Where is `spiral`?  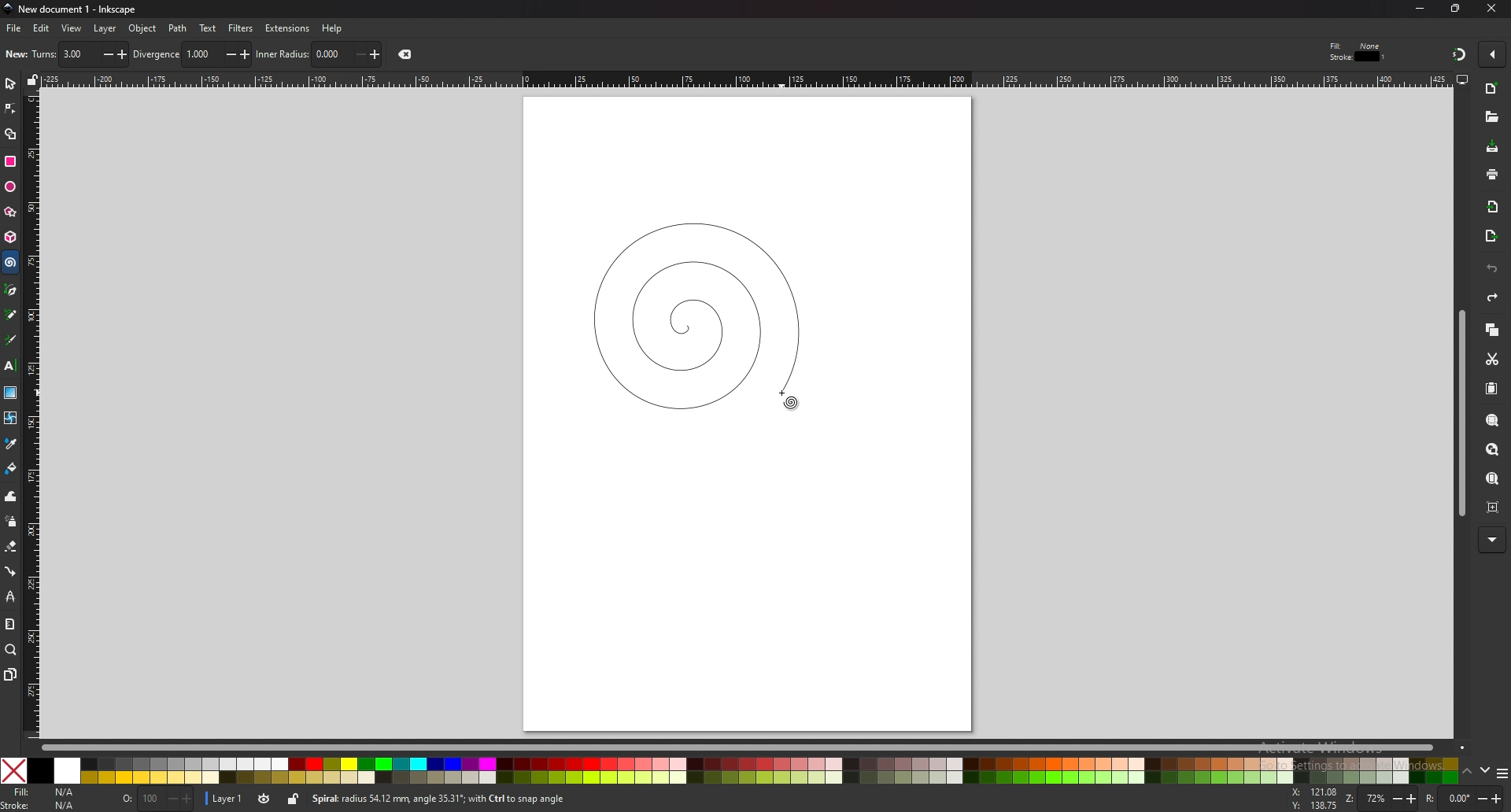 spiral is located at coordinates (11, 263).